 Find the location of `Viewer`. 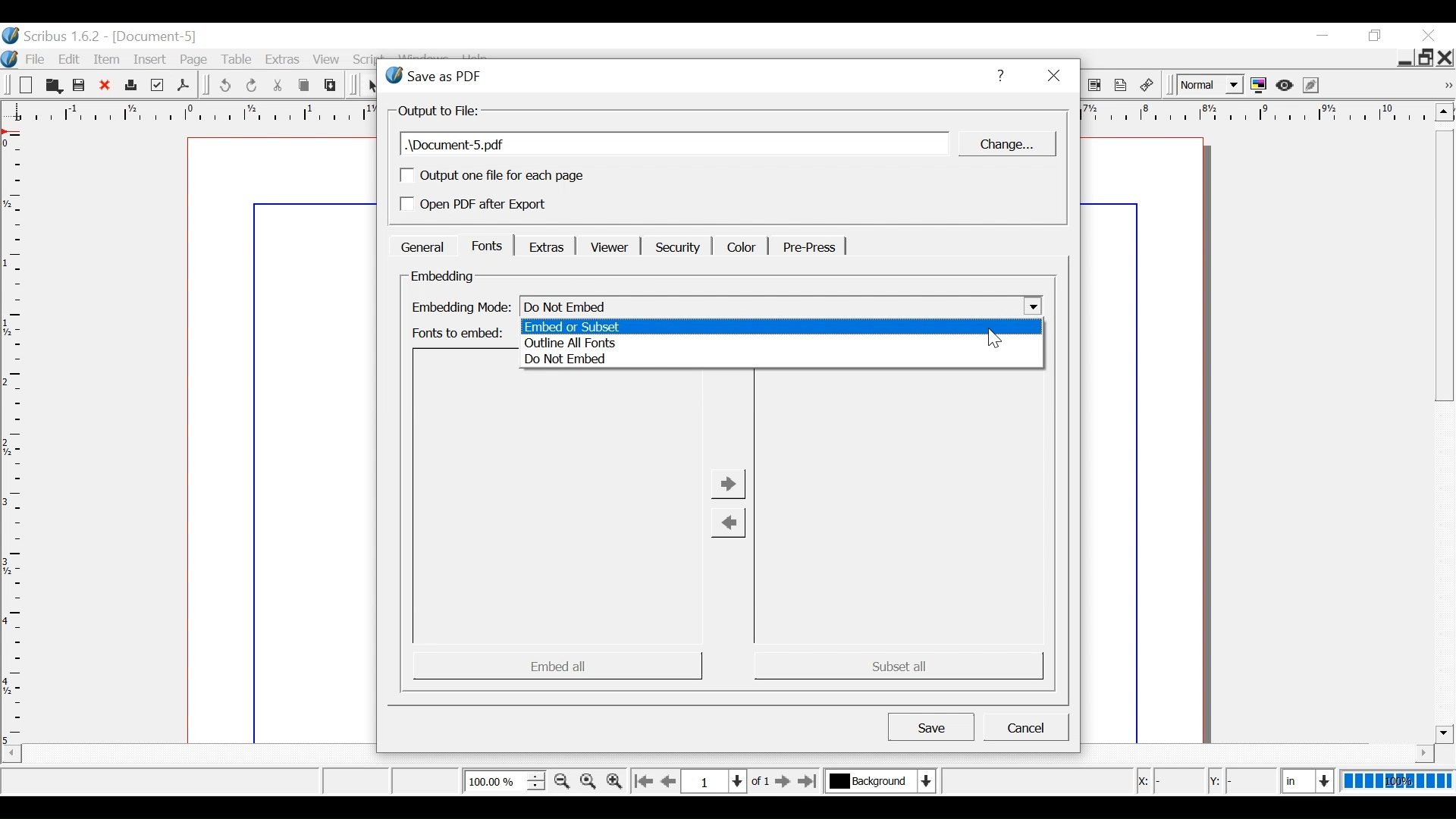

Viewer is located at coordinates (606, 247).